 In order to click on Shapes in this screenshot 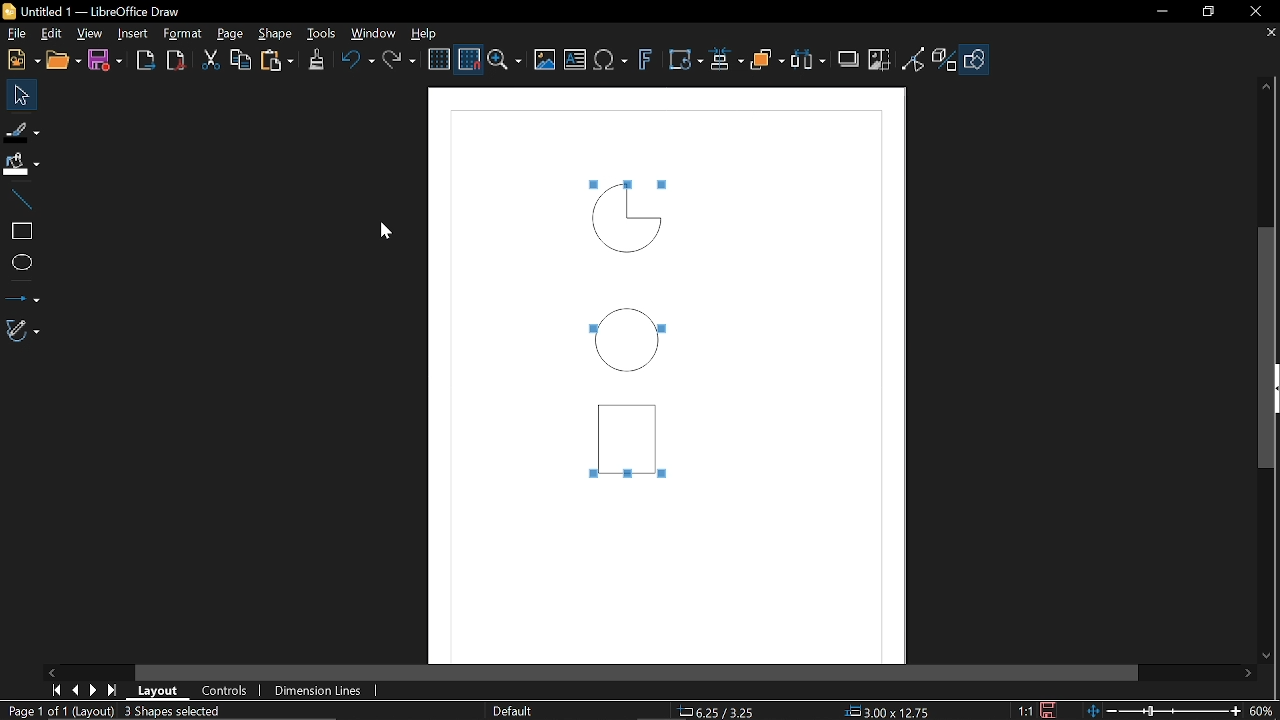, I will do `click(978, 60)`.